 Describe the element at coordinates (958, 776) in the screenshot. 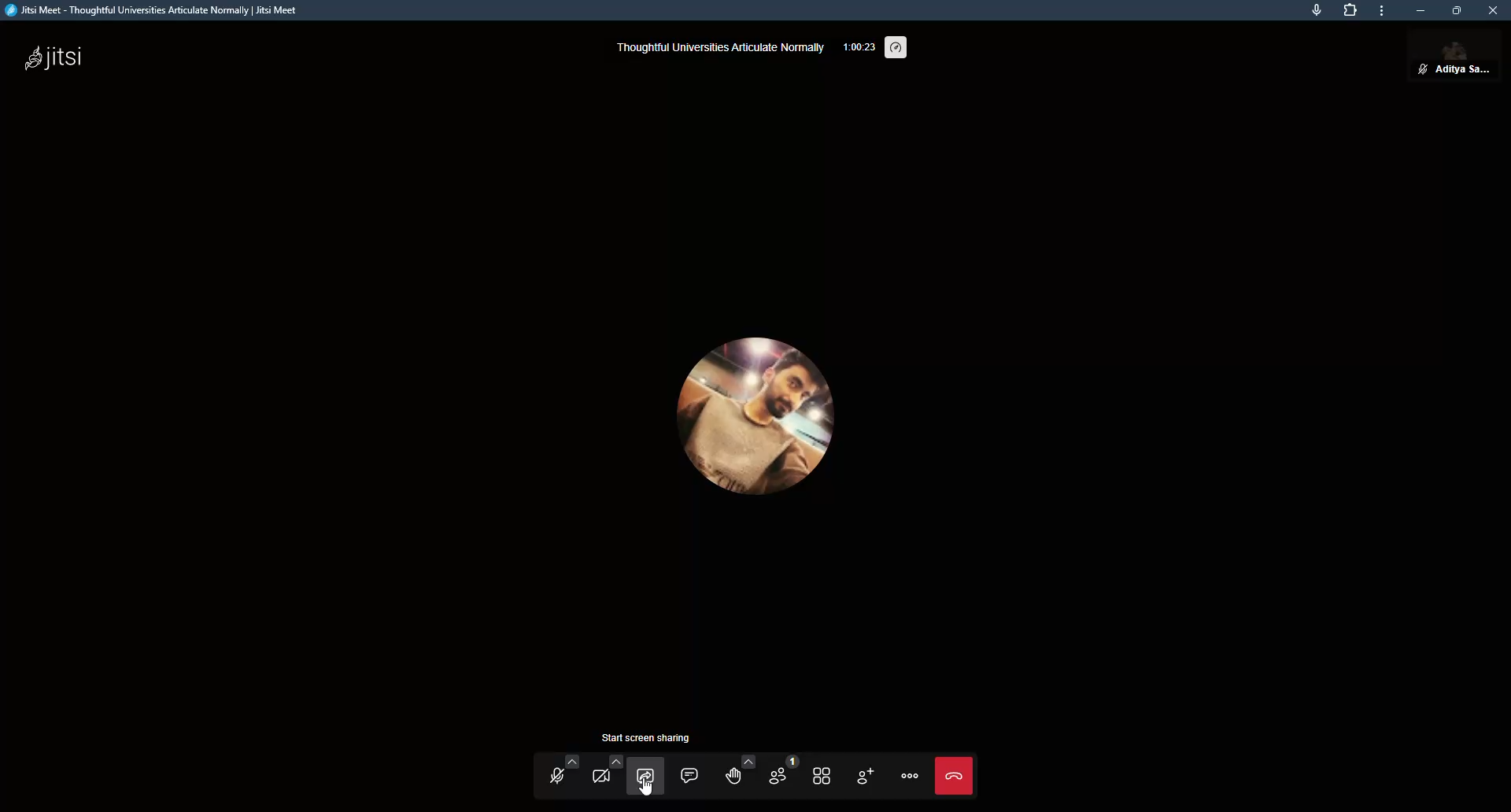

I see `end call` at that location.